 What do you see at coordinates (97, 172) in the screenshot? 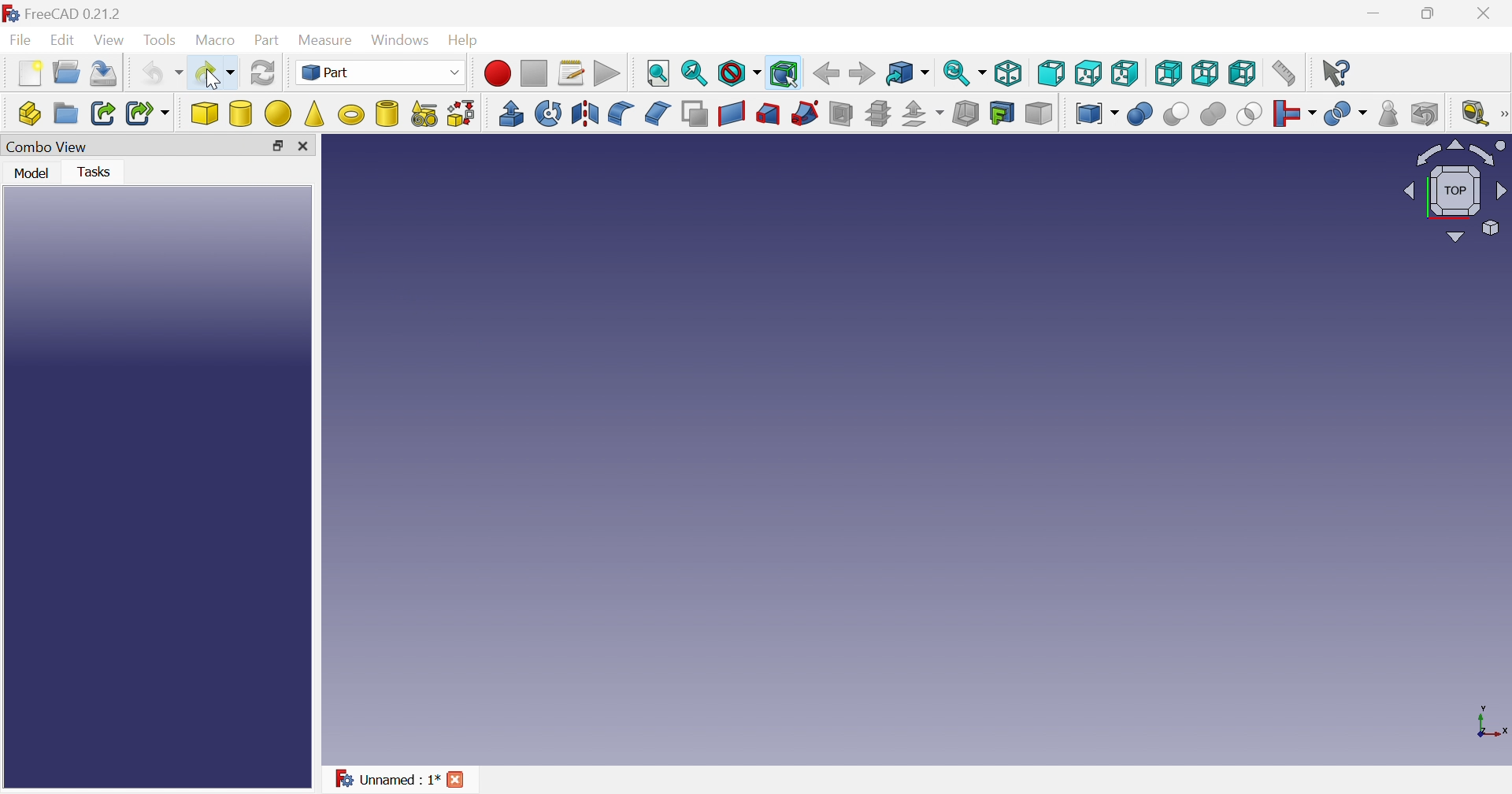
I see `Tasks` at bounding box center [97, 172].